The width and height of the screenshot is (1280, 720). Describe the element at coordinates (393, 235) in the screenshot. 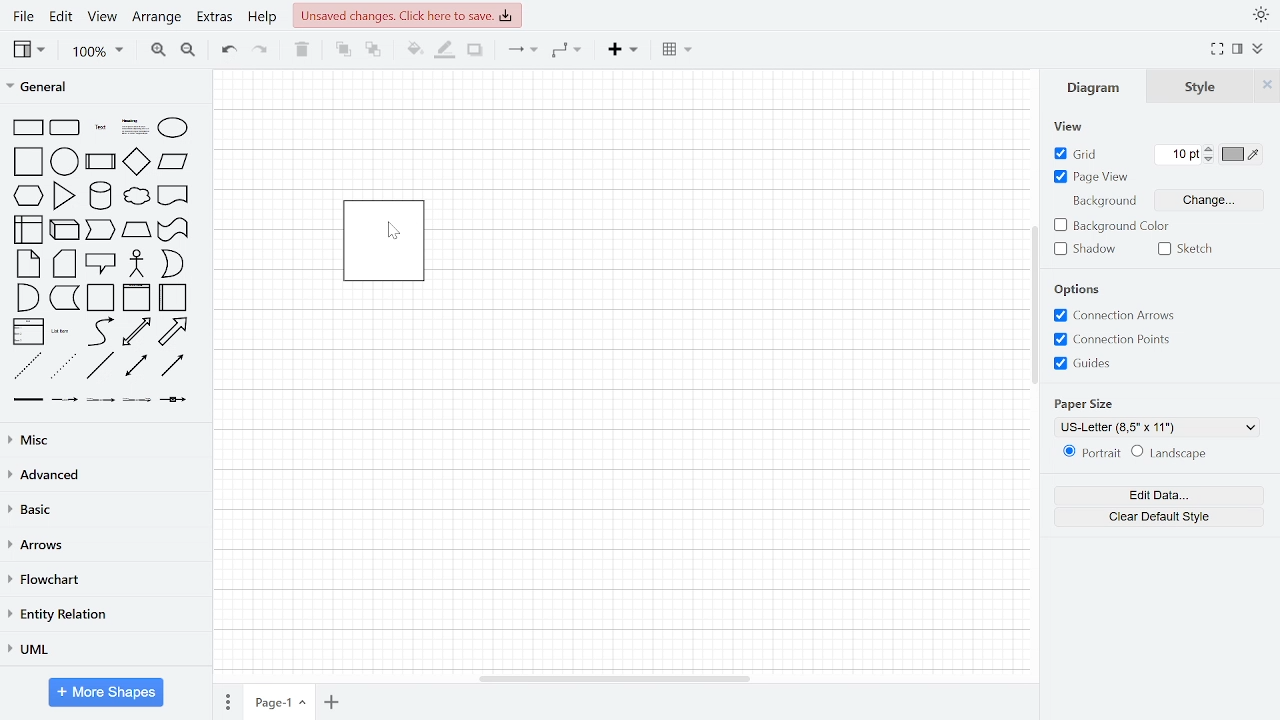

I see `cursor` at that location.